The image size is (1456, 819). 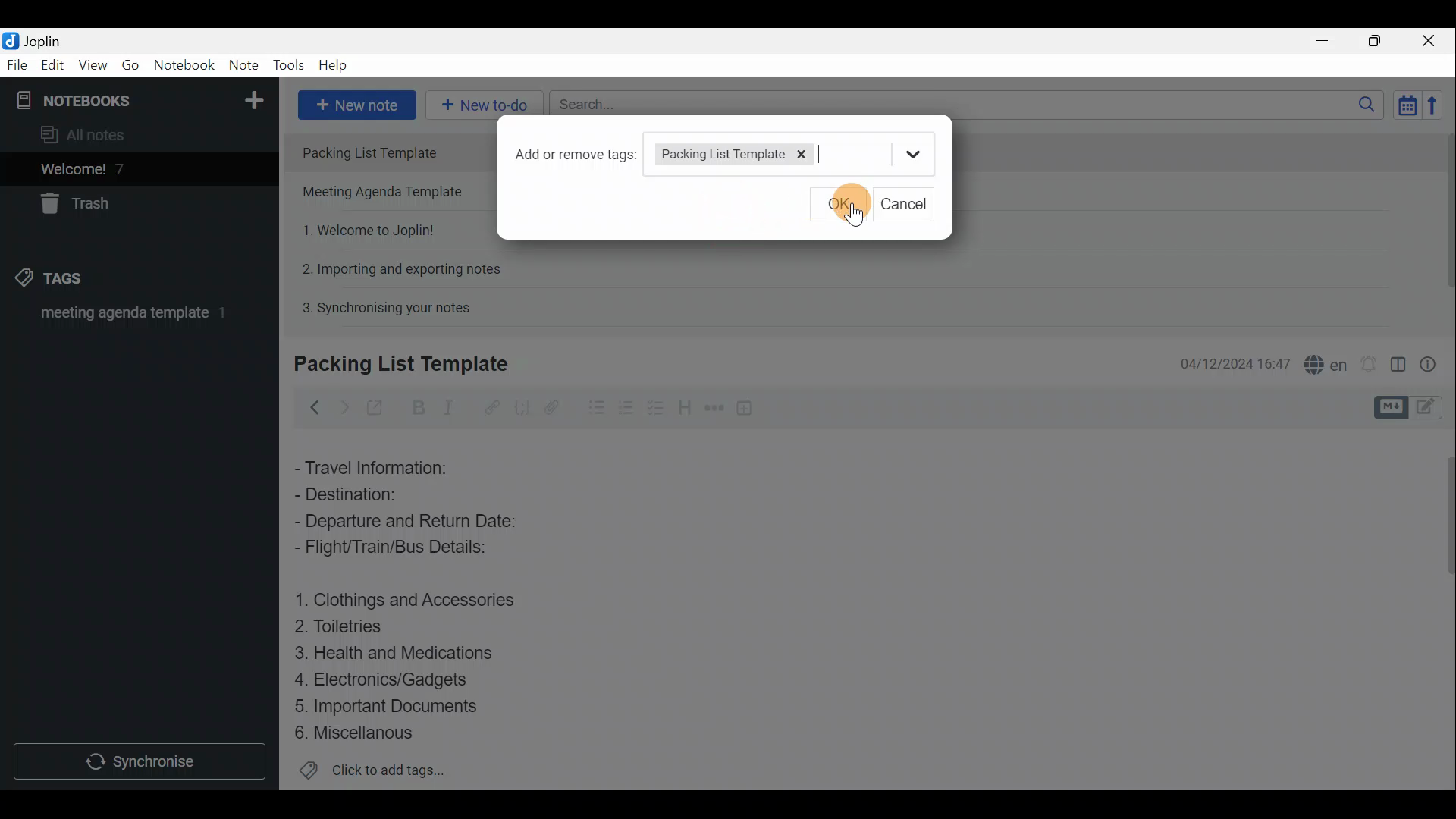 I want to click on meeting agenda template, so click(x=130, y=318).